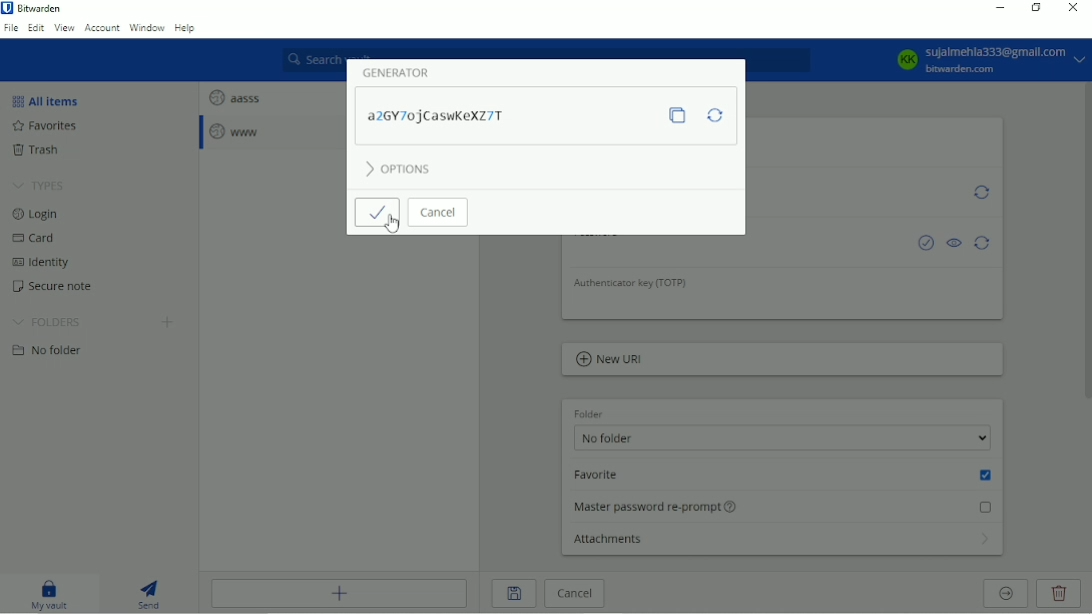 The height and width of the screenshot is (614, 1092). What do you see at coordinates (46, 322) in the screenshot?
I see `Folders` at bounding box center [46, 322].